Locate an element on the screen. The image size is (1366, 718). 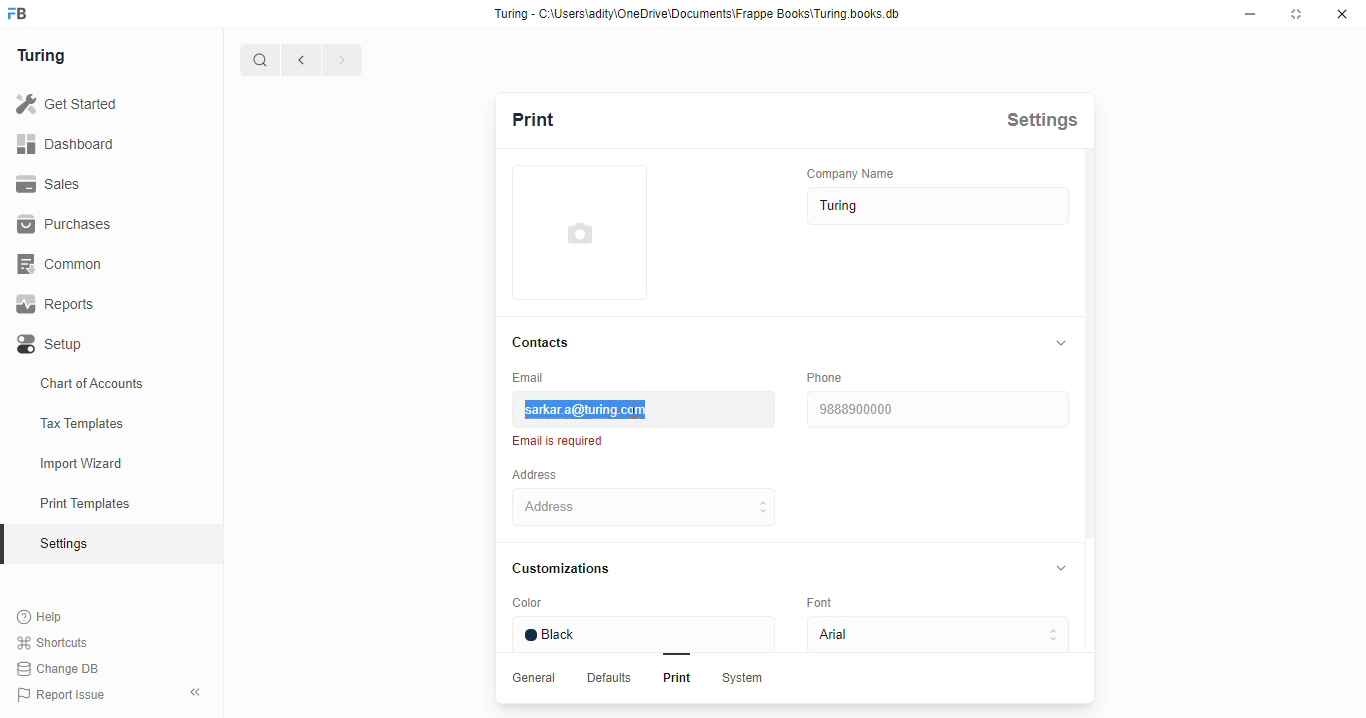
Report Issue is located at coordinates (70, 692).